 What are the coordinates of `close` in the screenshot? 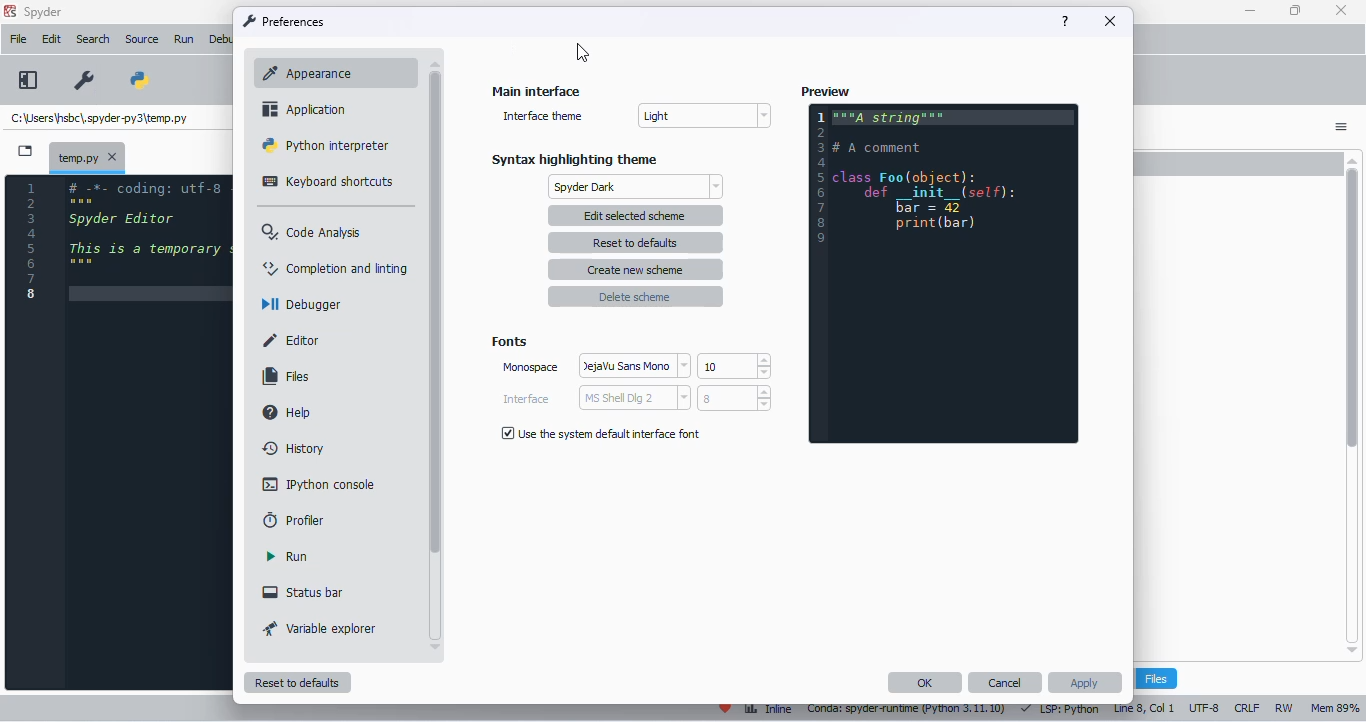 It's located at (1342, 10).